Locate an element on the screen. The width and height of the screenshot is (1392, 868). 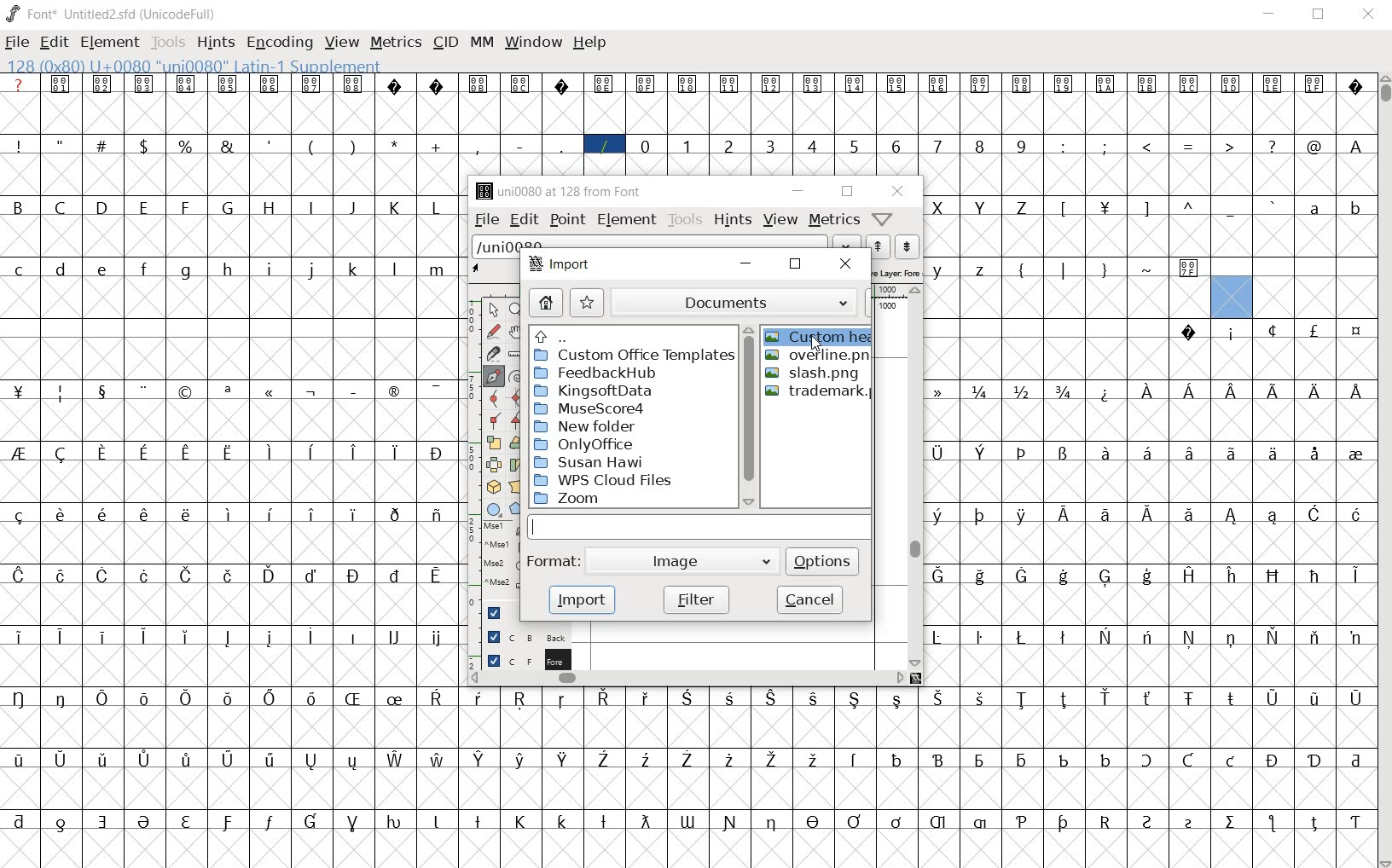
glyph is located at coordinates (1314, 701).